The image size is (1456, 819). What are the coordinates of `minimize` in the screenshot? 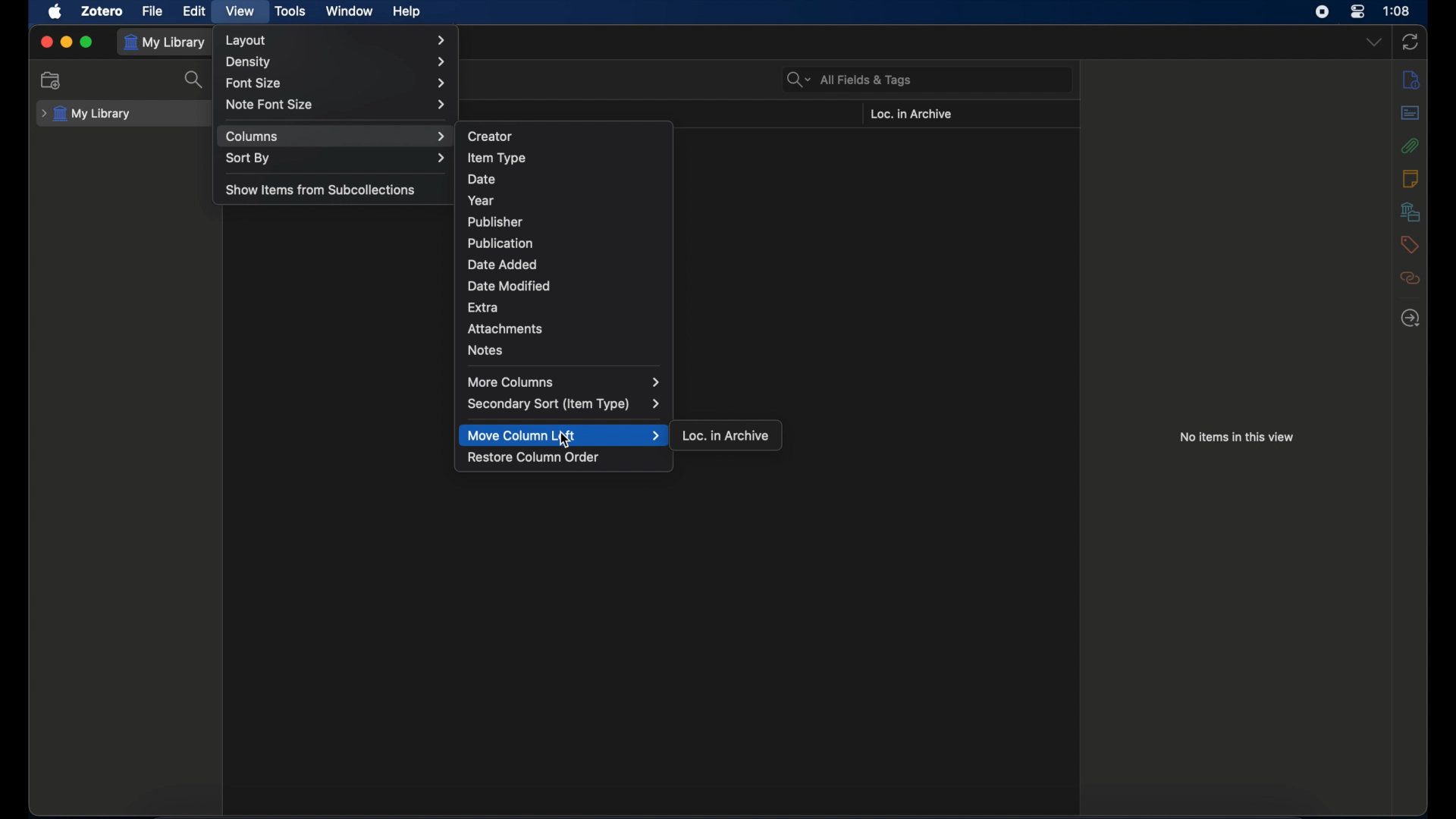 It's located at (65, 40).